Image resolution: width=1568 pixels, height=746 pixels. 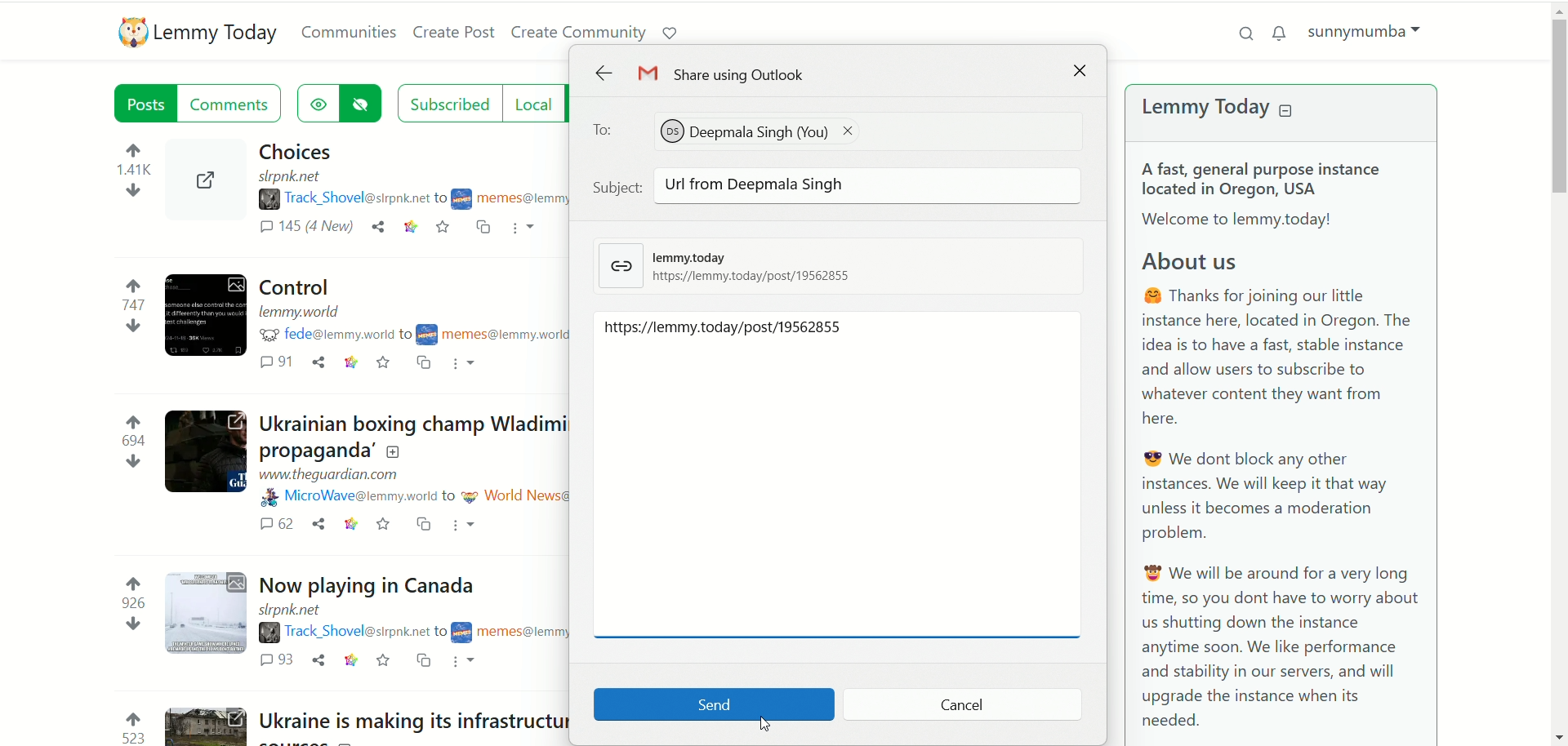 What do you see at coordinates (203, 452) in the screenshot?
I see `Expand the post with the image` at bounding box center [203, 452].